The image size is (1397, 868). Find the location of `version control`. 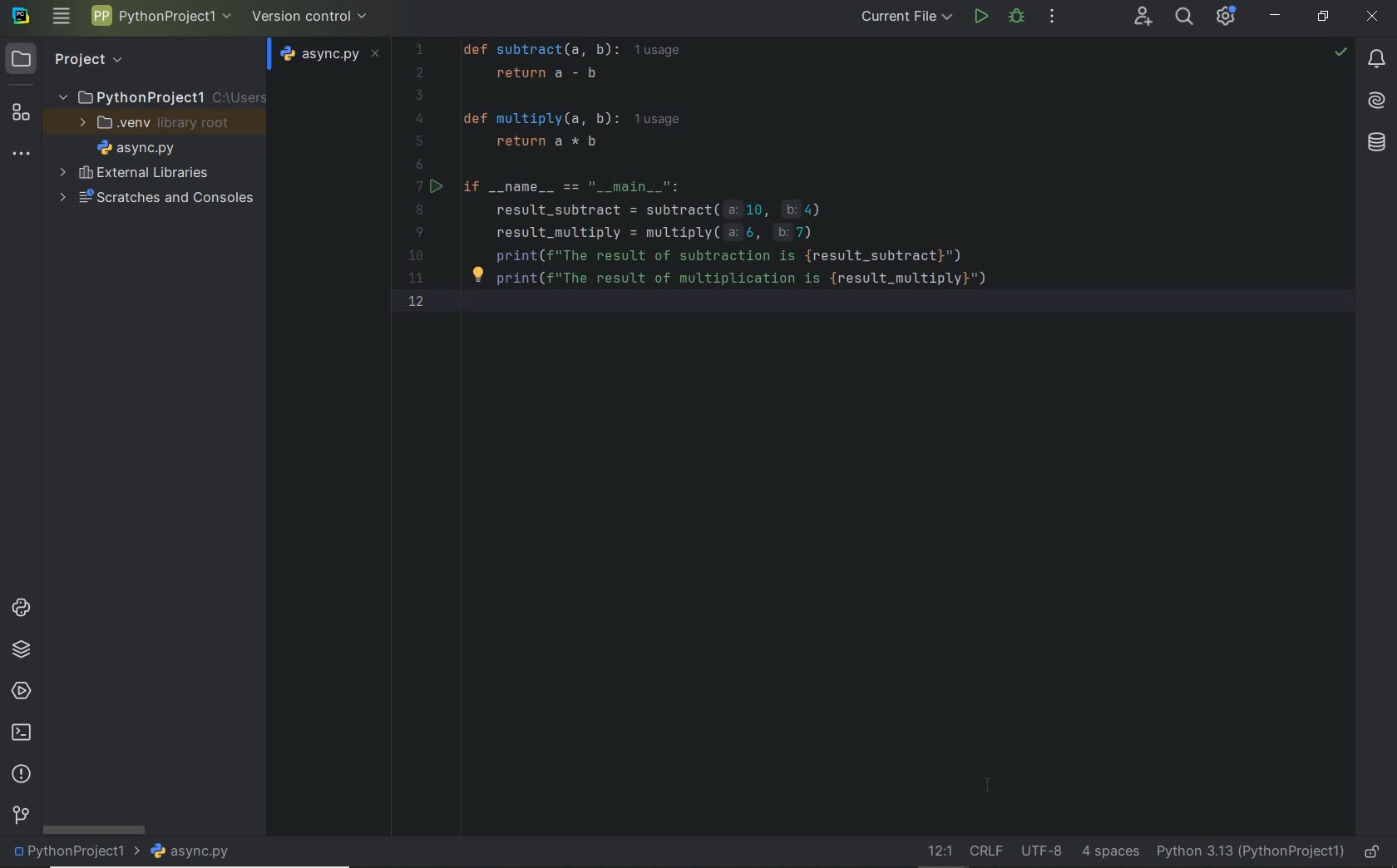

version control is located at coordinates (21, 816).